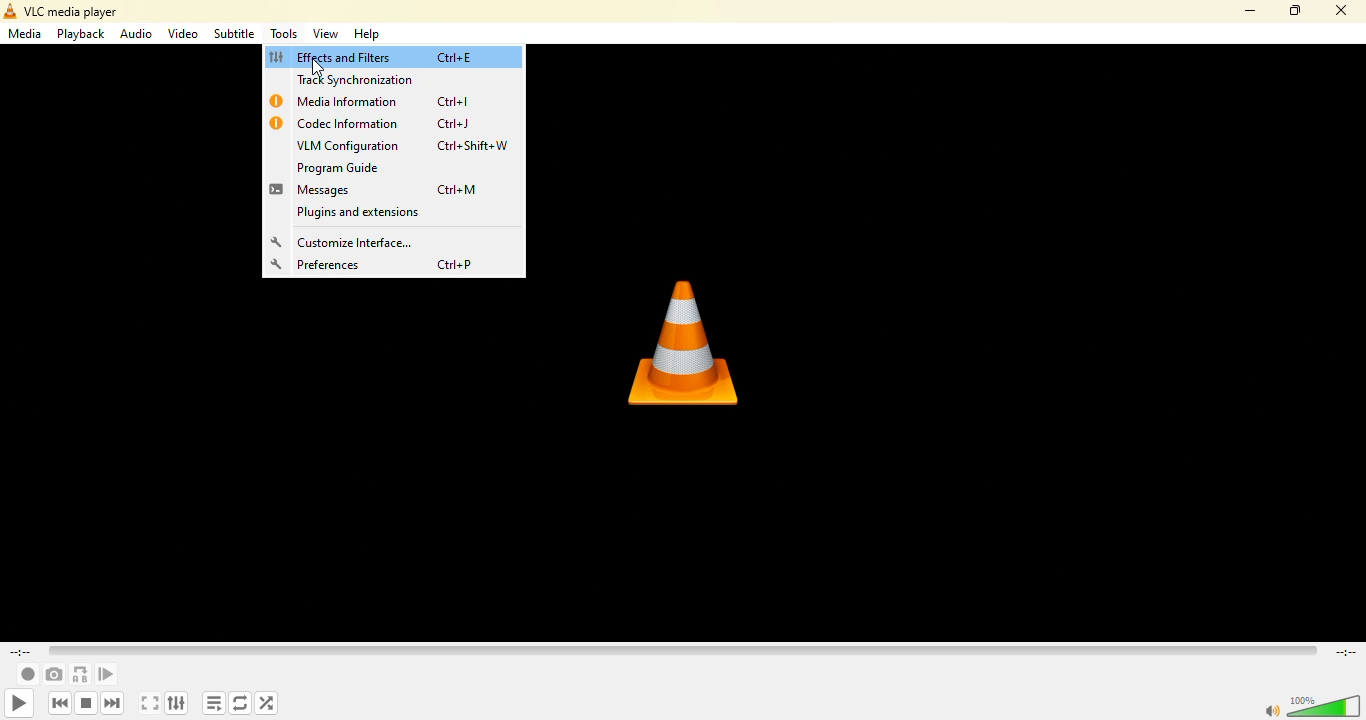 Image resolution: width=1366 pixels, height=720 pixels. What do you see at coordinates (235, 34) in the screenshot?
I see `subtitle` at bounding box center [235, 34].